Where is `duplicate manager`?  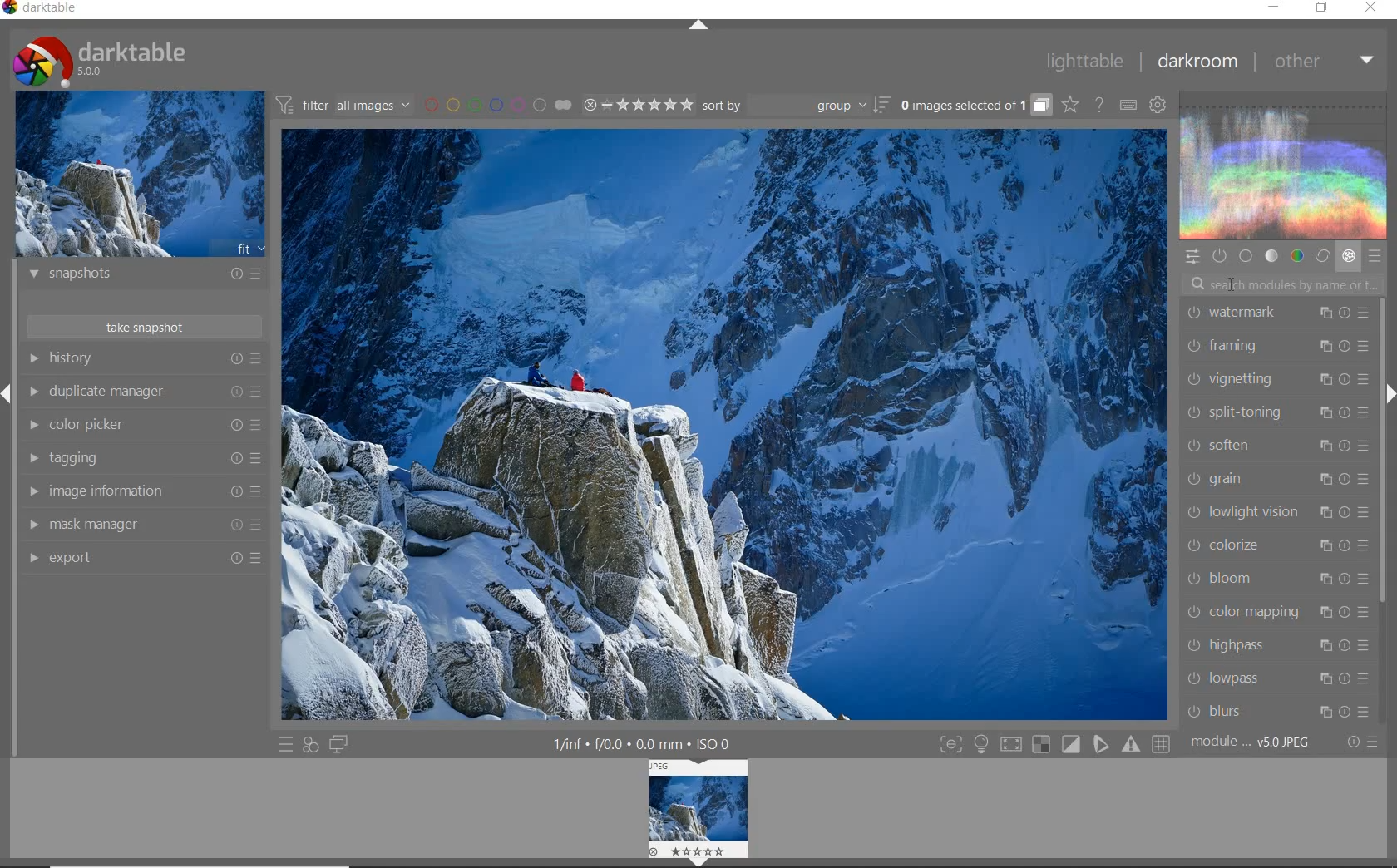 duplicate manager is located at coordinates (143, 392).